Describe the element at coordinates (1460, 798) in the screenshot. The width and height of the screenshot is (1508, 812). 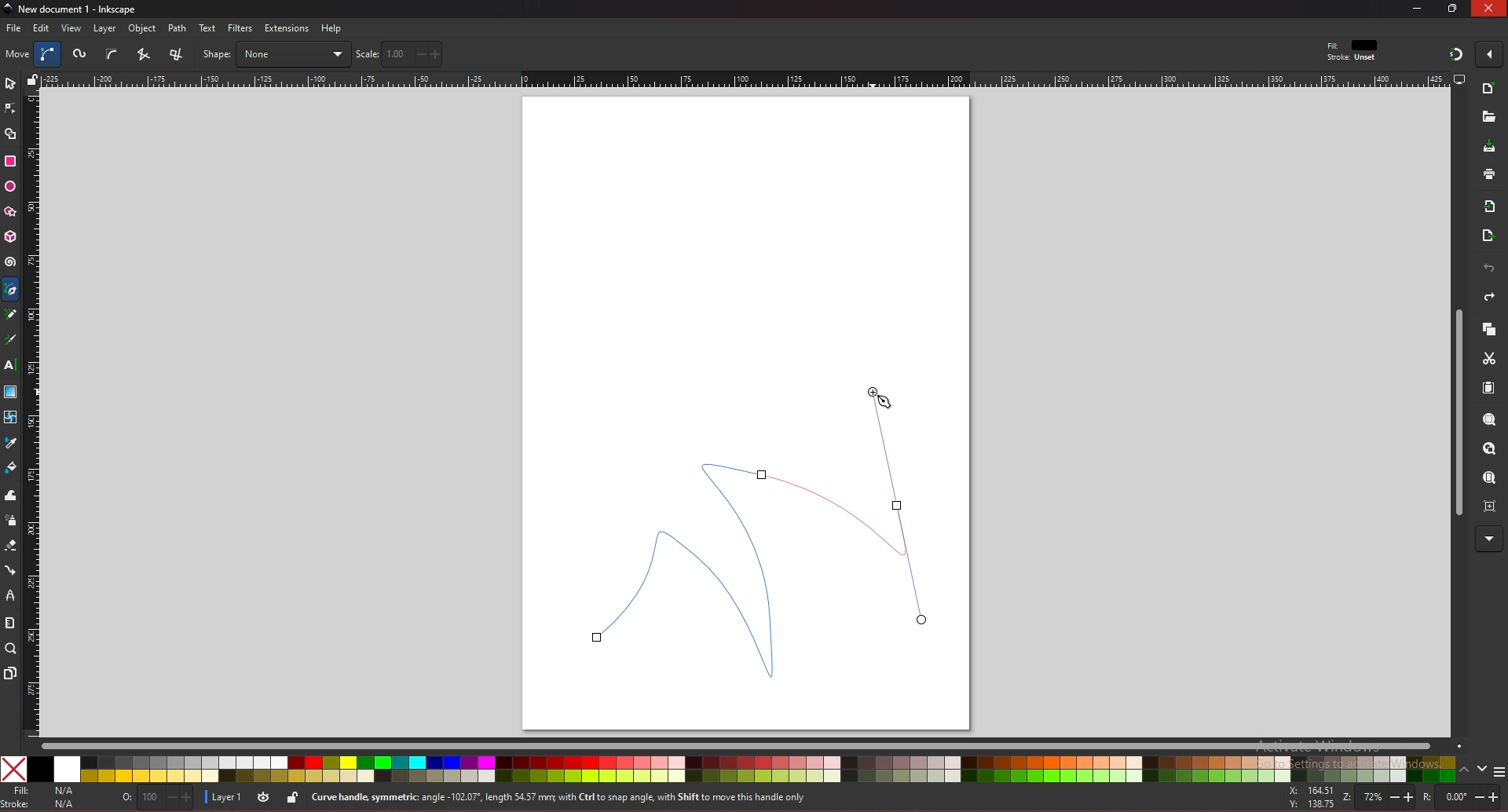
I see `rotate` at that location.